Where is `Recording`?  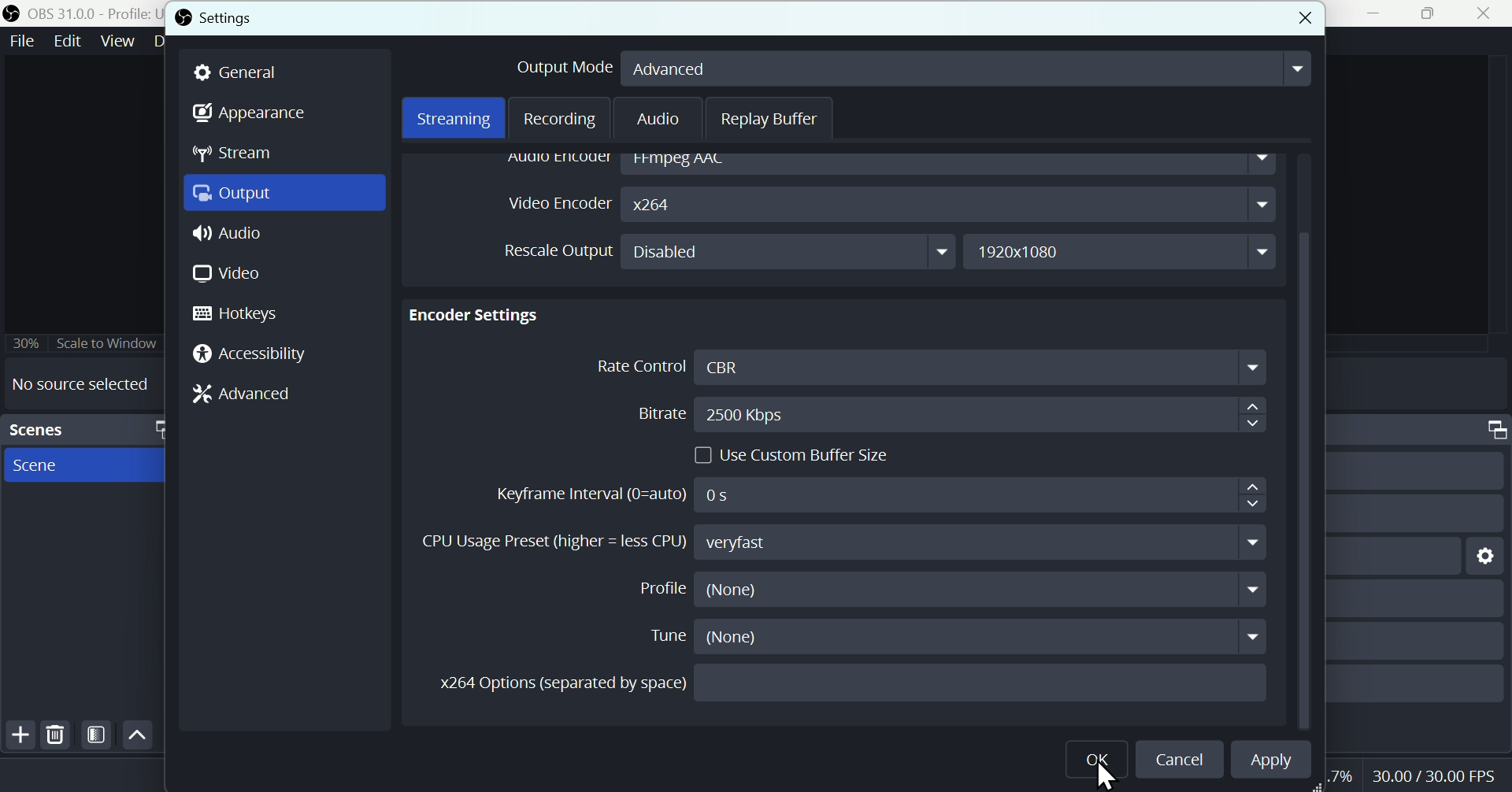 Recording is located at coordinates (561, 119).